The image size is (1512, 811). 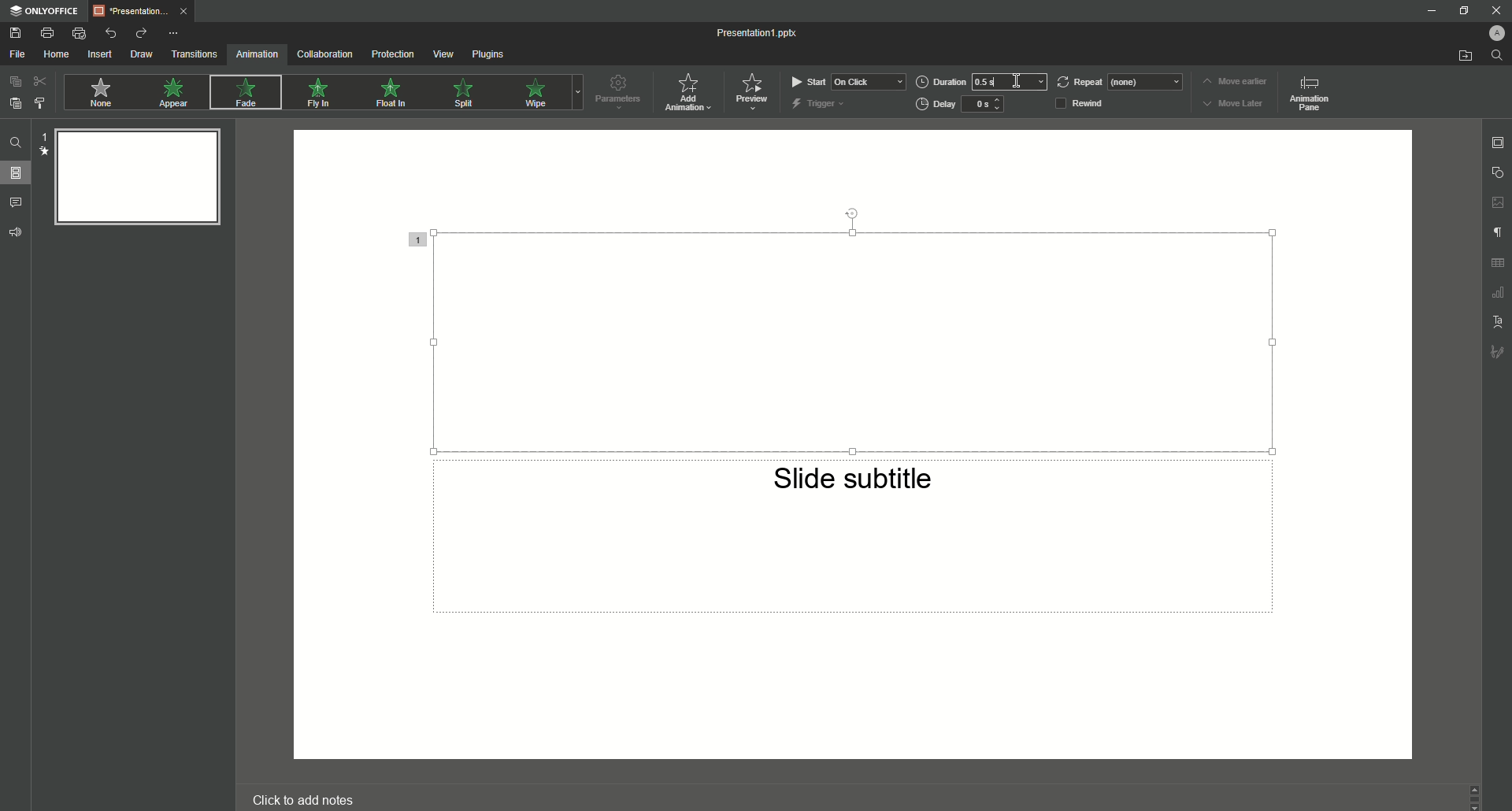 I want to click on Collaboration, so click(x=326, y=54).